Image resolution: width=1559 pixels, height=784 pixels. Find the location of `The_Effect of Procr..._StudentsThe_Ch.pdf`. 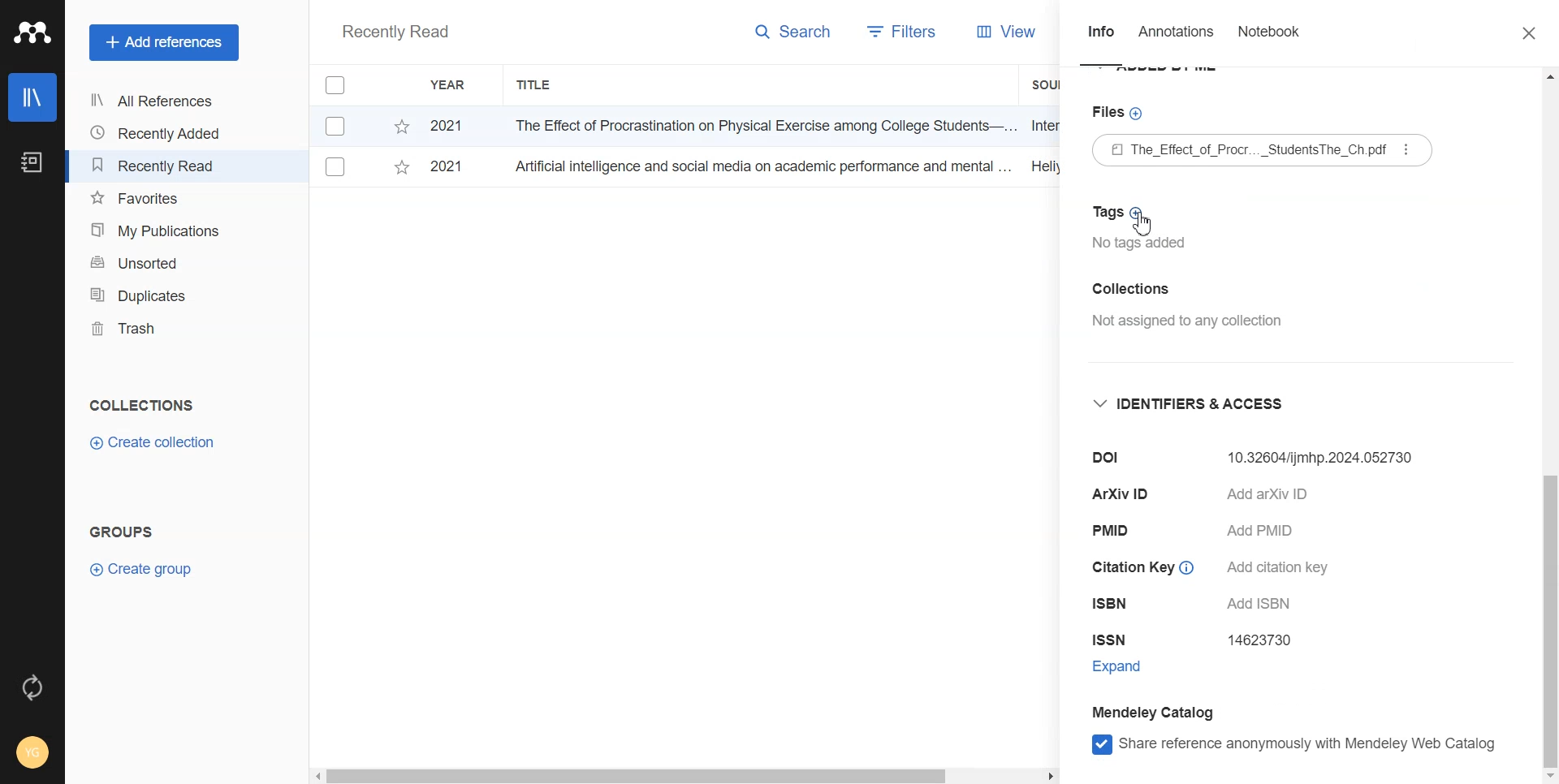

The_Effect of Procr..._StudentsThe_Ch.pdf is located at coordinates (1245, 151).